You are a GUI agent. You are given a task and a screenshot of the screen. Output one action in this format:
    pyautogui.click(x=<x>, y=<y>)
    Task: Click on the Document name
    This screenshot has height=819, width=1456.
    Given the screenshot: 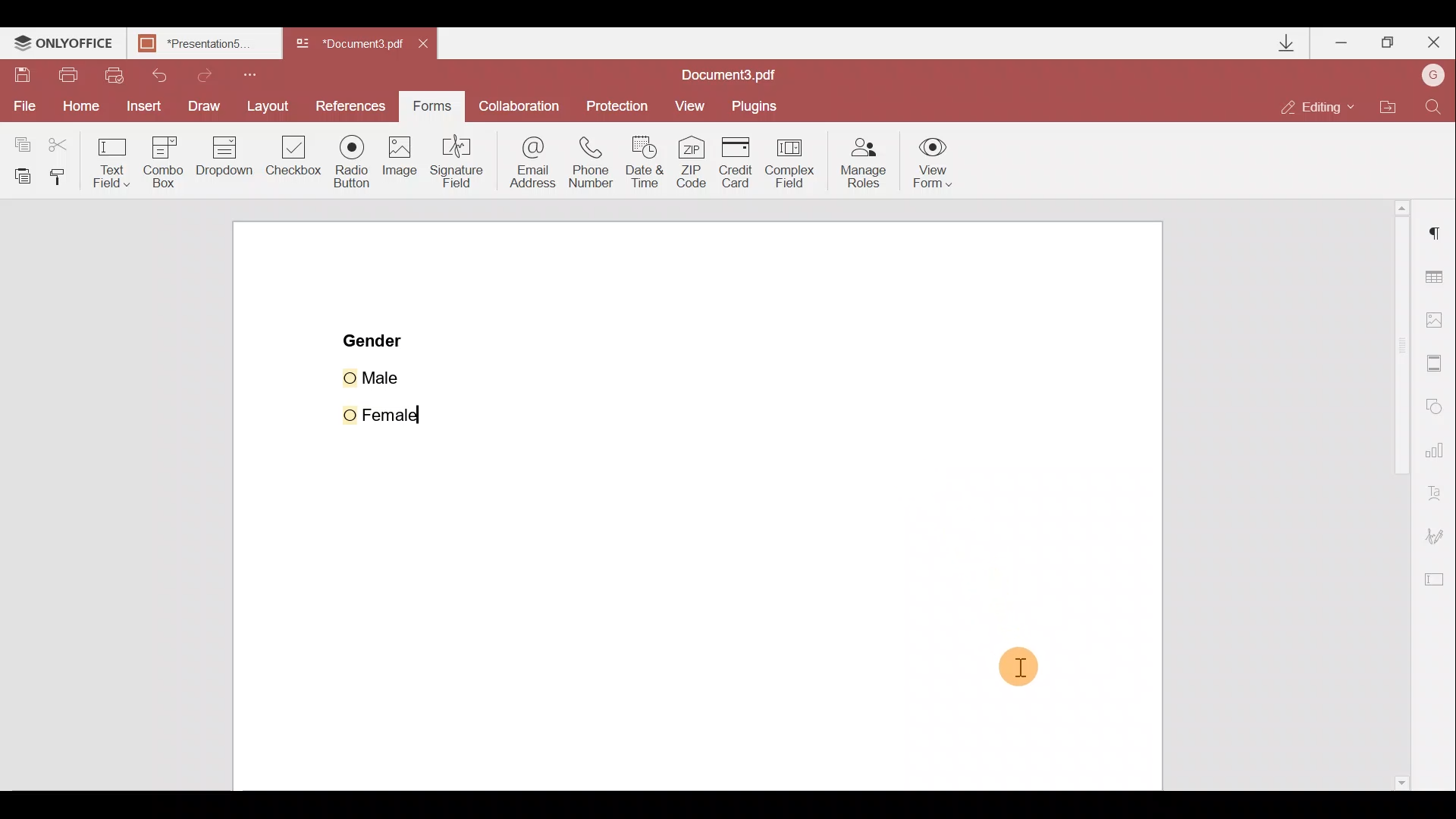 What is the action you would take?
    pyautogui.click(x=733, y=73)
    